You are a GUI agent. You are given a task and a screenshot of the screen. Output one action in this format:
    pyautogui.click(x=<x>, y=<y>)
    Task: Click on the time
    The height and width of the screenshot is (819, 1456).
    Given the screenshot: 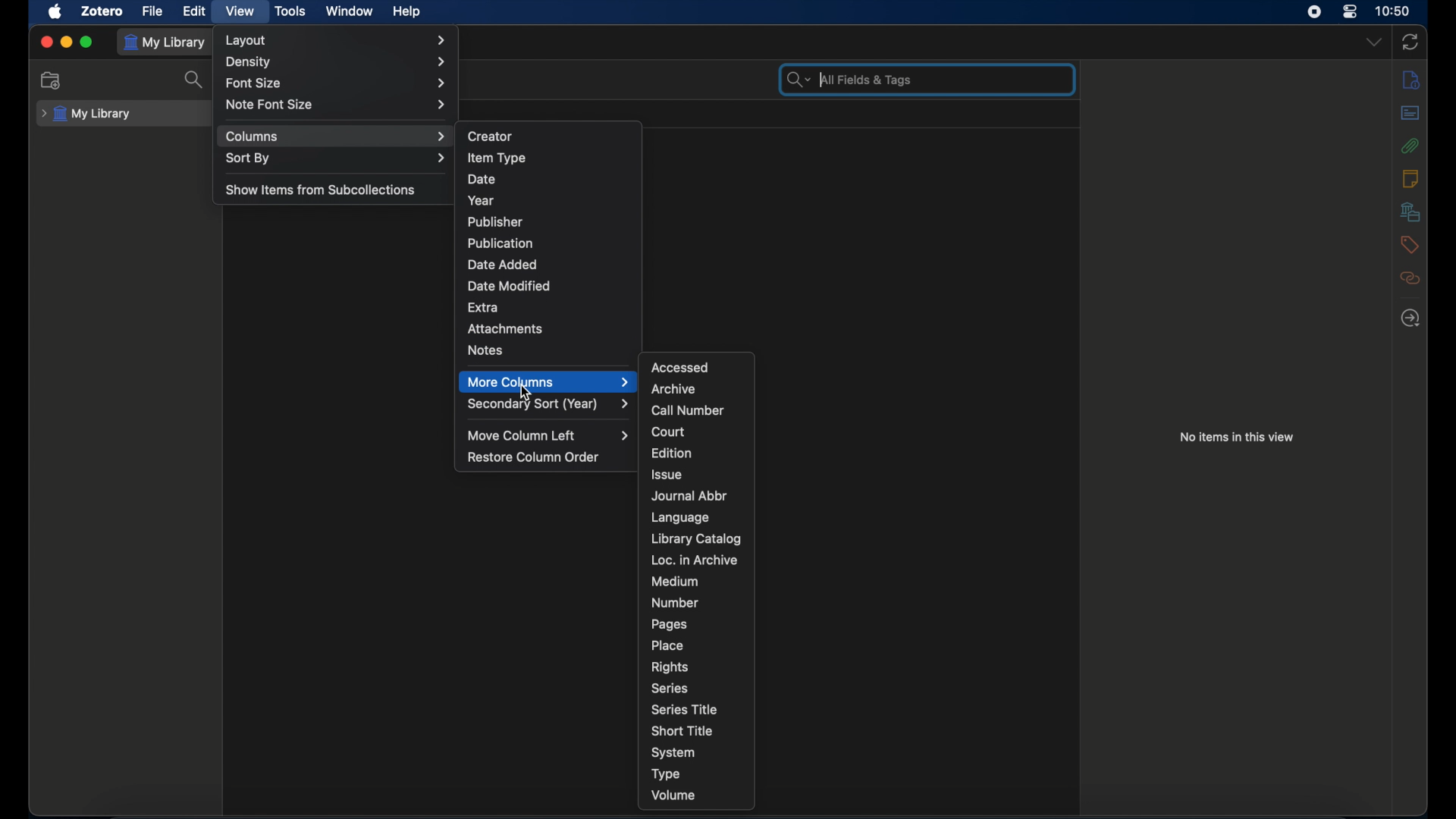 What is the action you would take?
    pyautogui.click(x=1393, y=11)
    